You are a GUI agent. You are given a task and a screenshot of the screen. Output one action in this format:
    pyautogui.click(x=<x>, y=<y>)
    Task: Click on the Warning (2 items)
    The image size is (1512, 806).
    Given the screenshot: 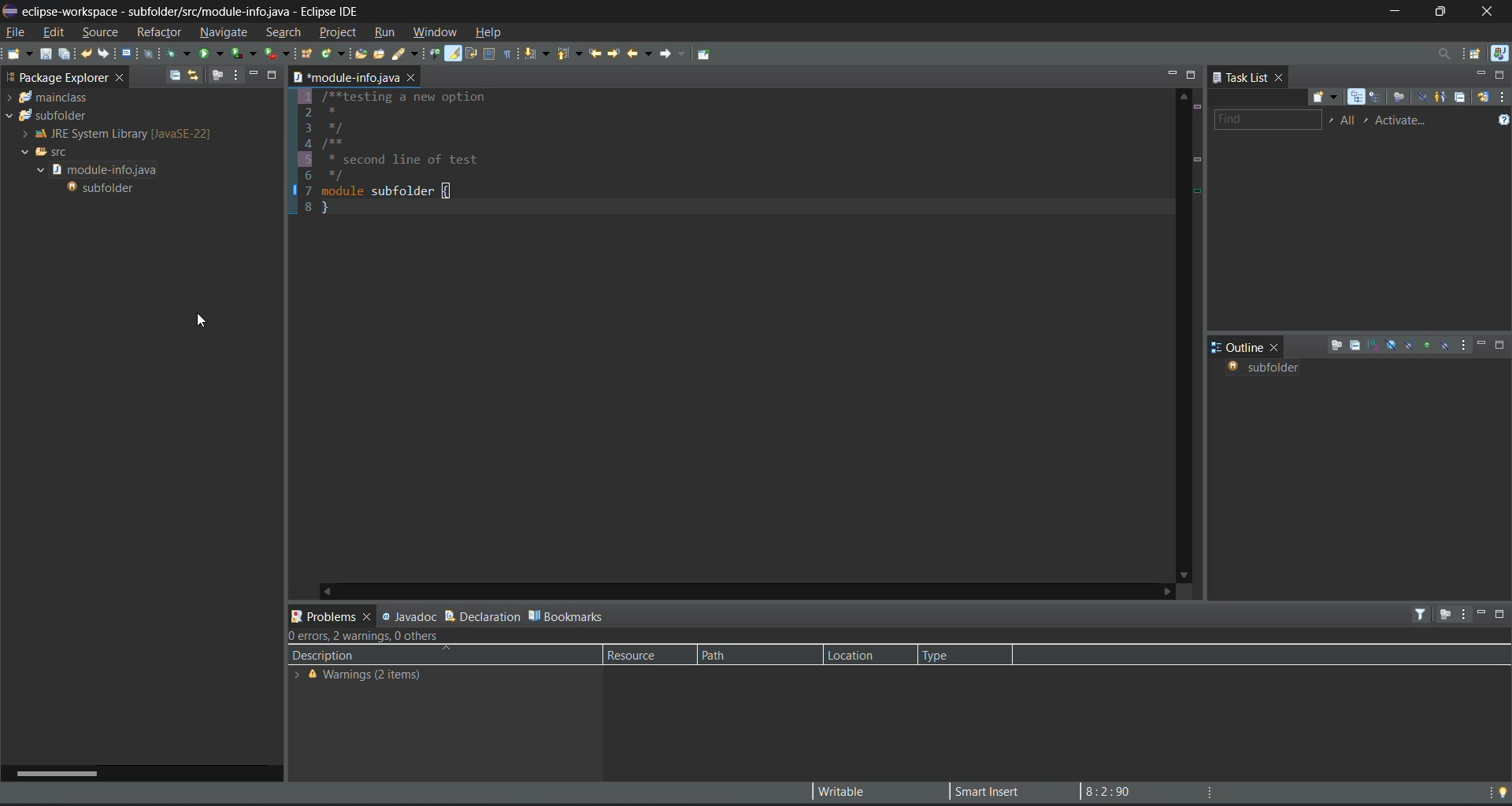 What is the action you would take?
    pyautogui.click(x=362, y=677)
    